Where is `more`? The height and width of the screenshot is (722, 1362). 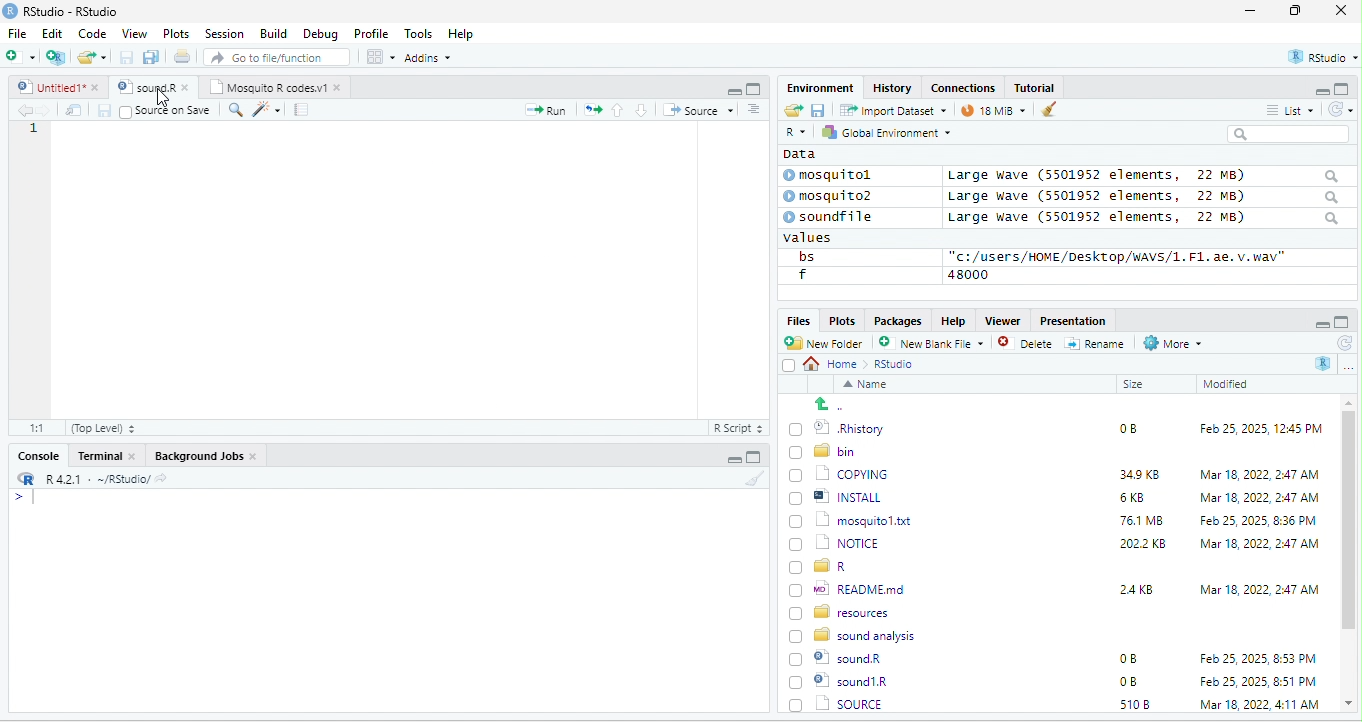 more is located at coordinates (1348, 366).